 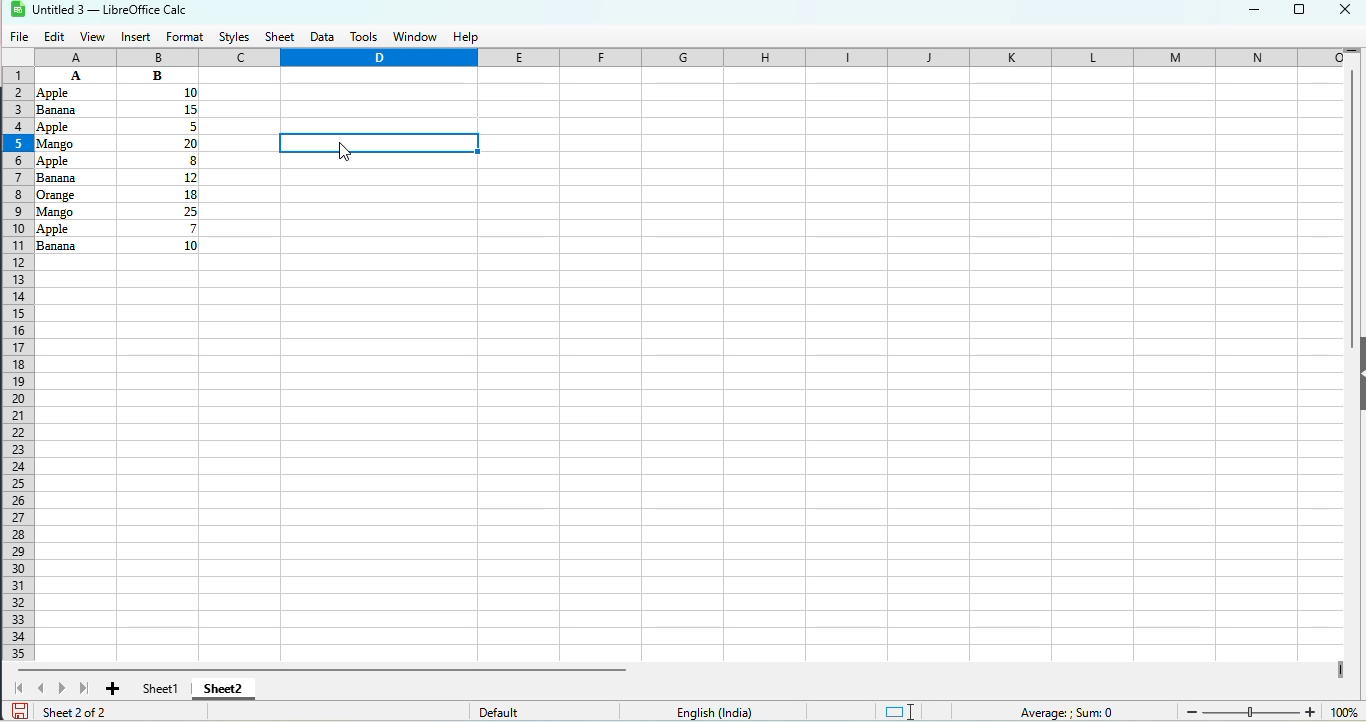 What do you see at coordinates (900, 712) in the screenshot?
I see `standard selection` at bounding box center [900, 712].